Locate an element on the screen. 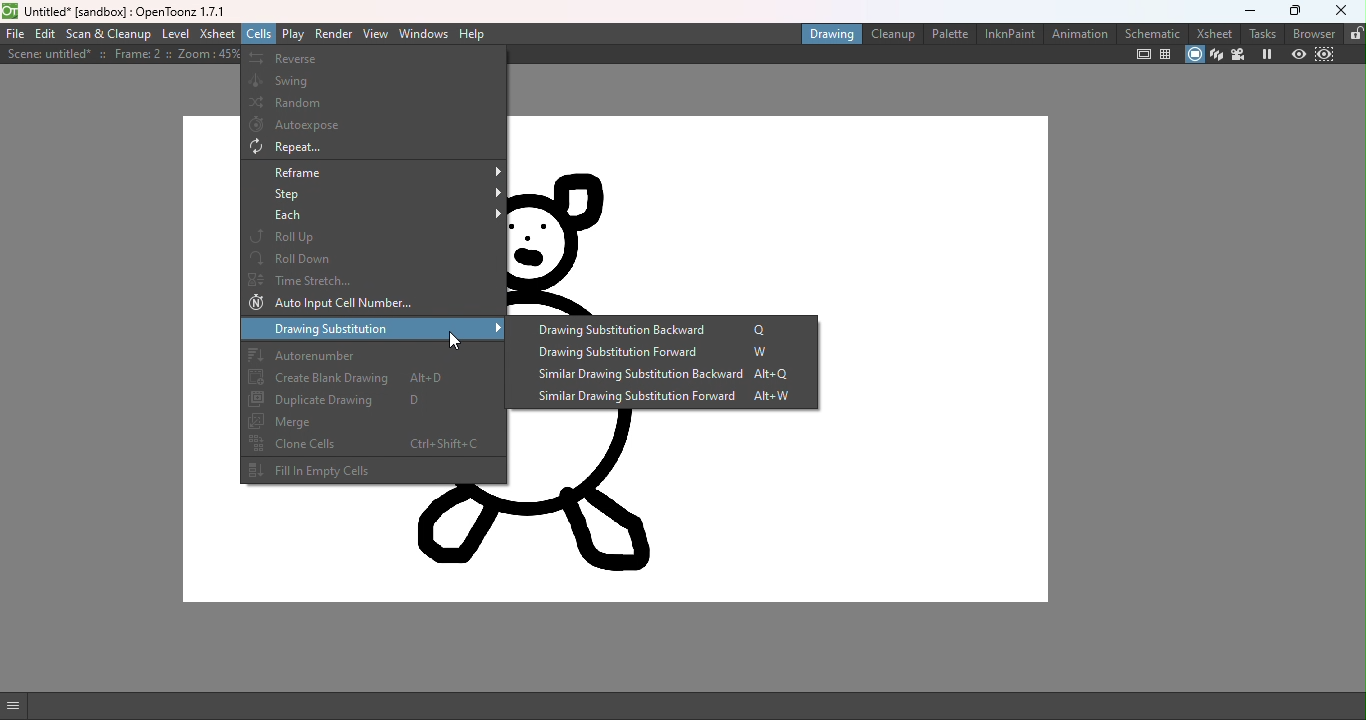 Image resolution: width=1366 pixels, height=720 pixels. Camera view is located at coordinates (1240, 56).